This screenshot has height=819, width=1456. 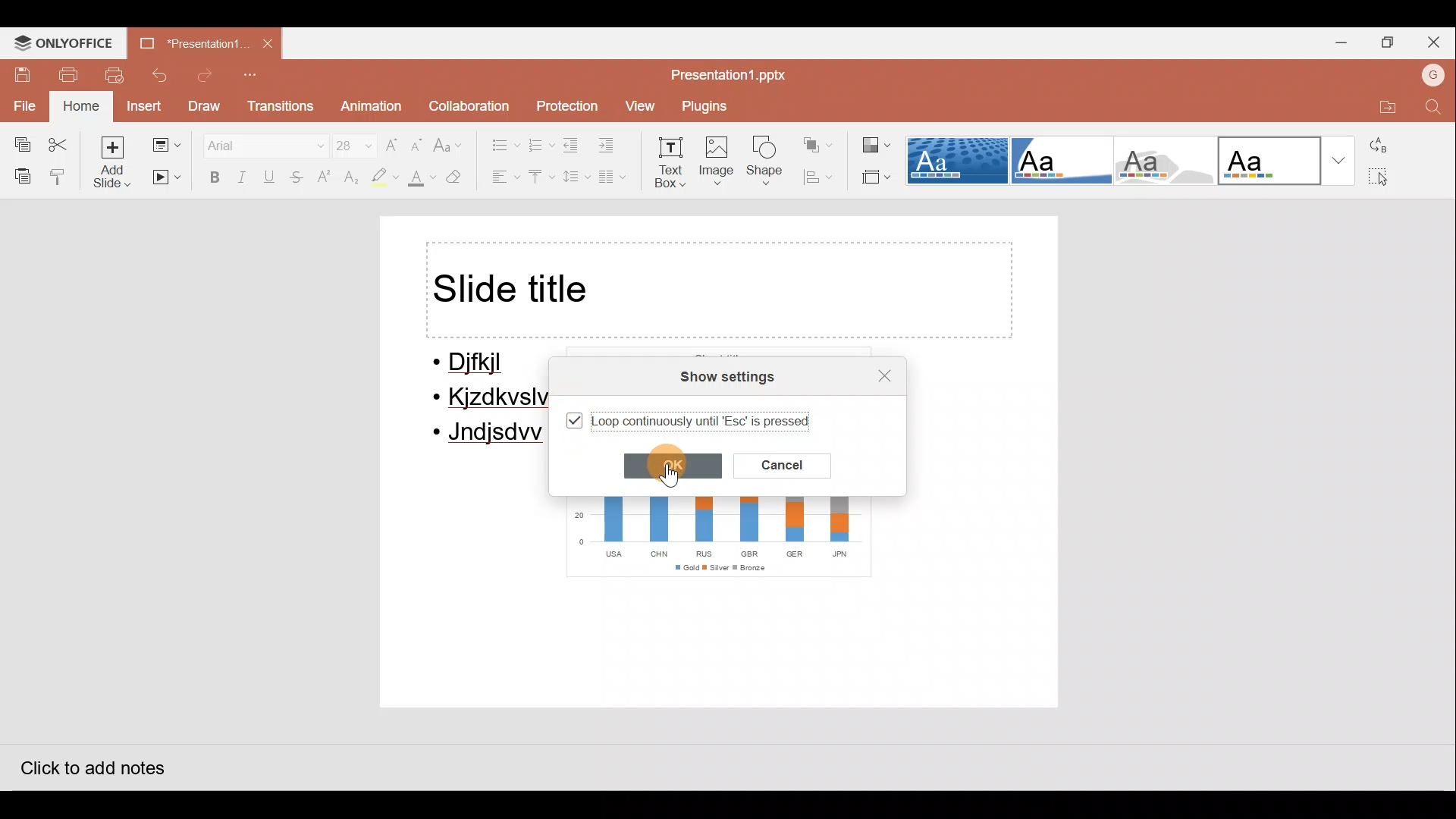 What do you see at coordinates (450, 142) in the screenshot?
I see `Change case` at bounding box center [450, 142].